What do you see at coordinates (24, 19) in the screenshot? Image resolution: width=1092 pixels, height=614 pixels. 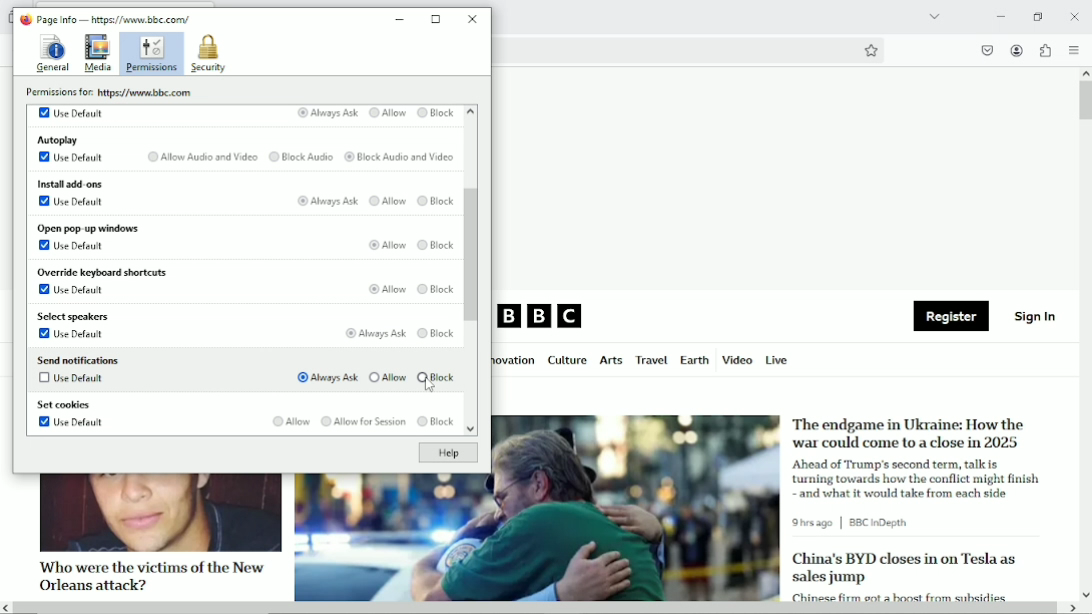 I see `logo` at bounding box center [24, 19].